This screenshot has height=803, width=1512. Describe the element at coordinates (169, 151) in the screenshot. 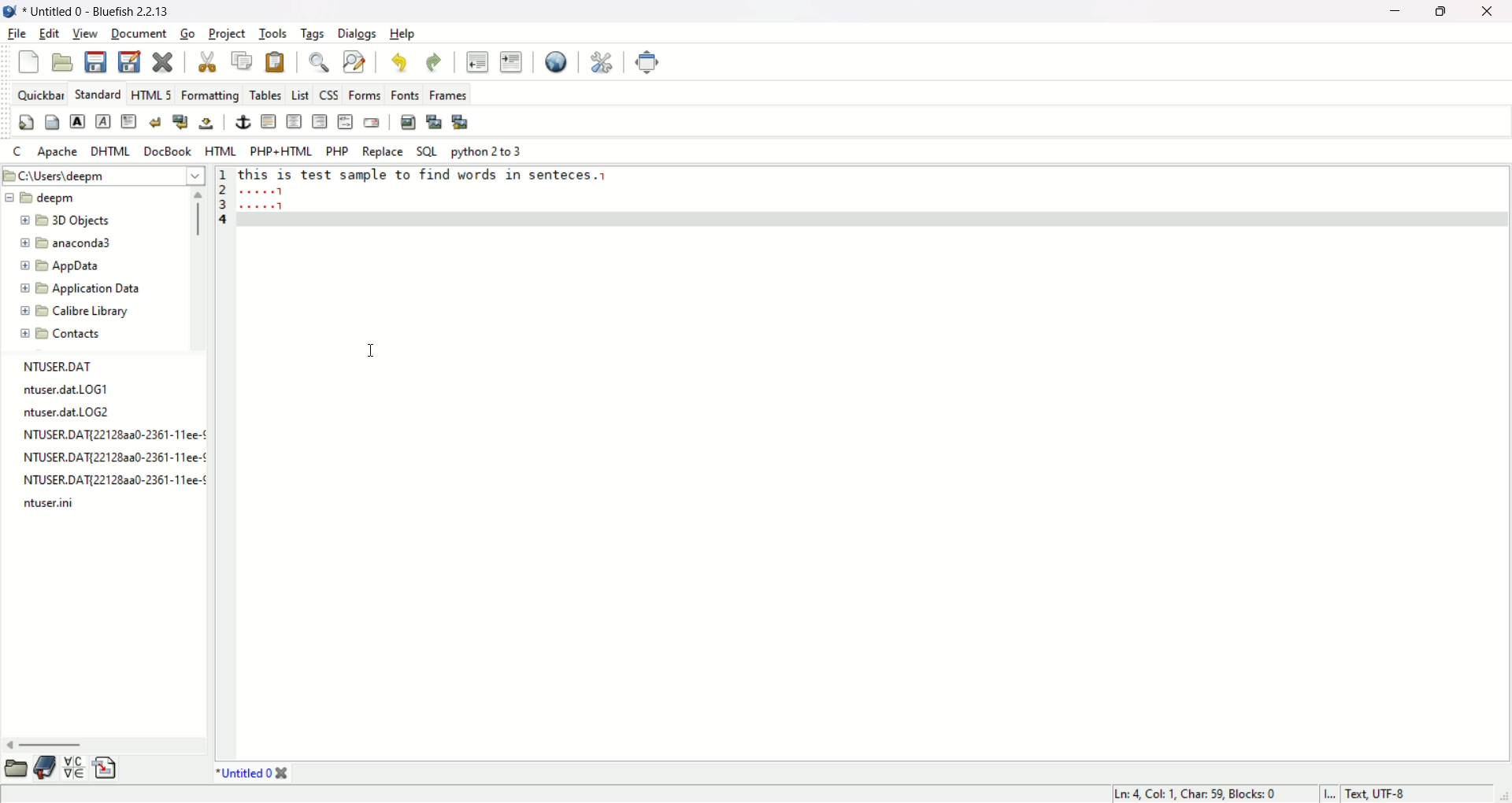

I see `DocBook` at that location.